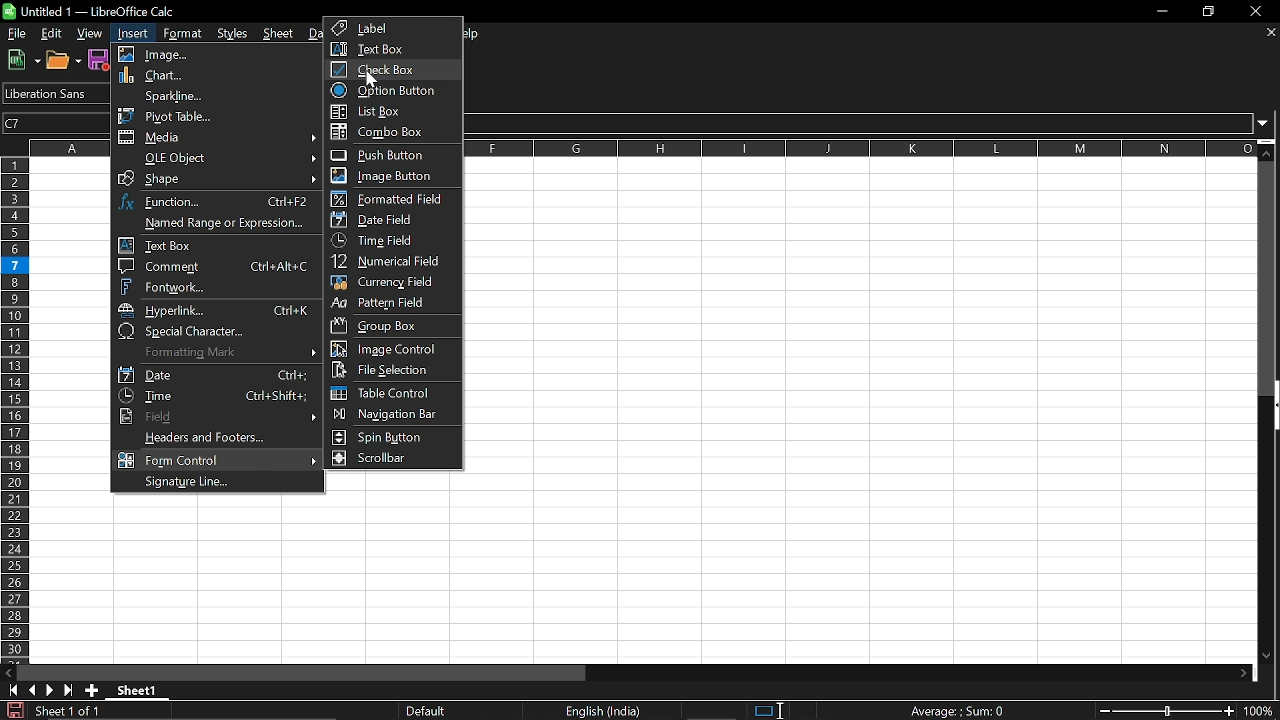 This screenshot has width=1280, height=720. I want to click on Special charcter, so click(215, 332).